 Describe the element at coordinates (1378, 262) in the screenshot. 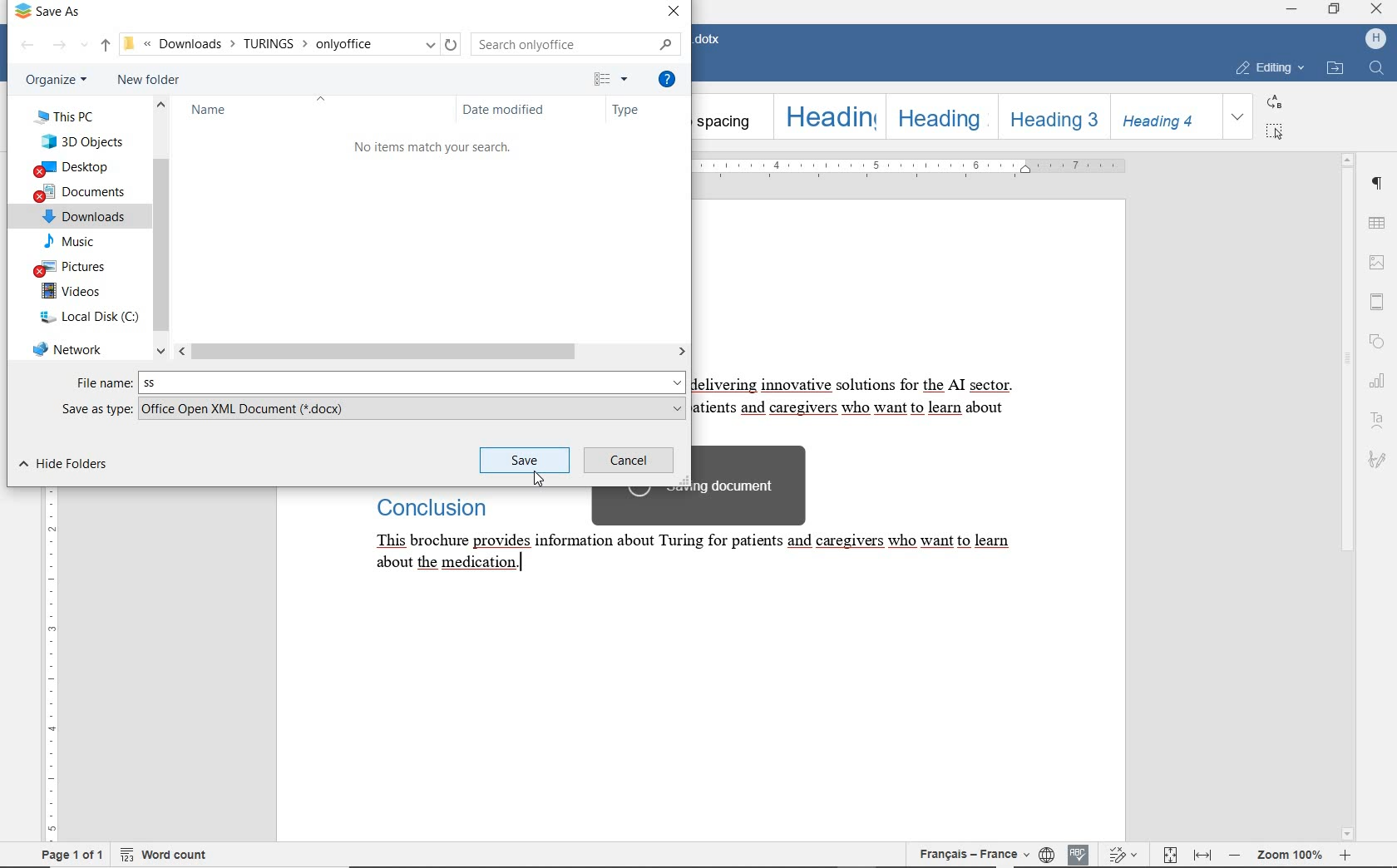

I see `IMAGE` at that location.